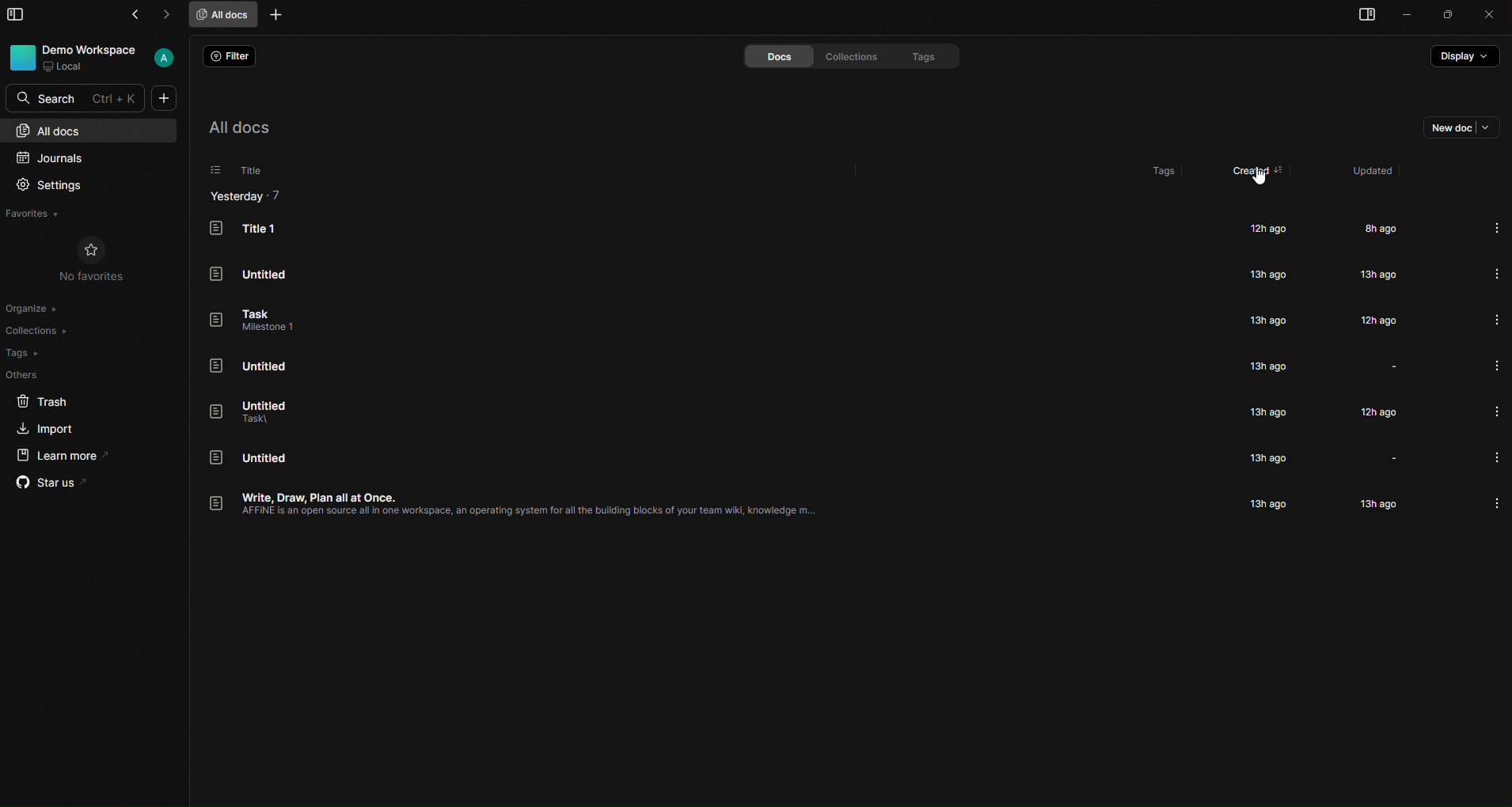 Image resolution: width=1512 pixels, height=807 pixels. I want to click on all docs, so click(223, 16).